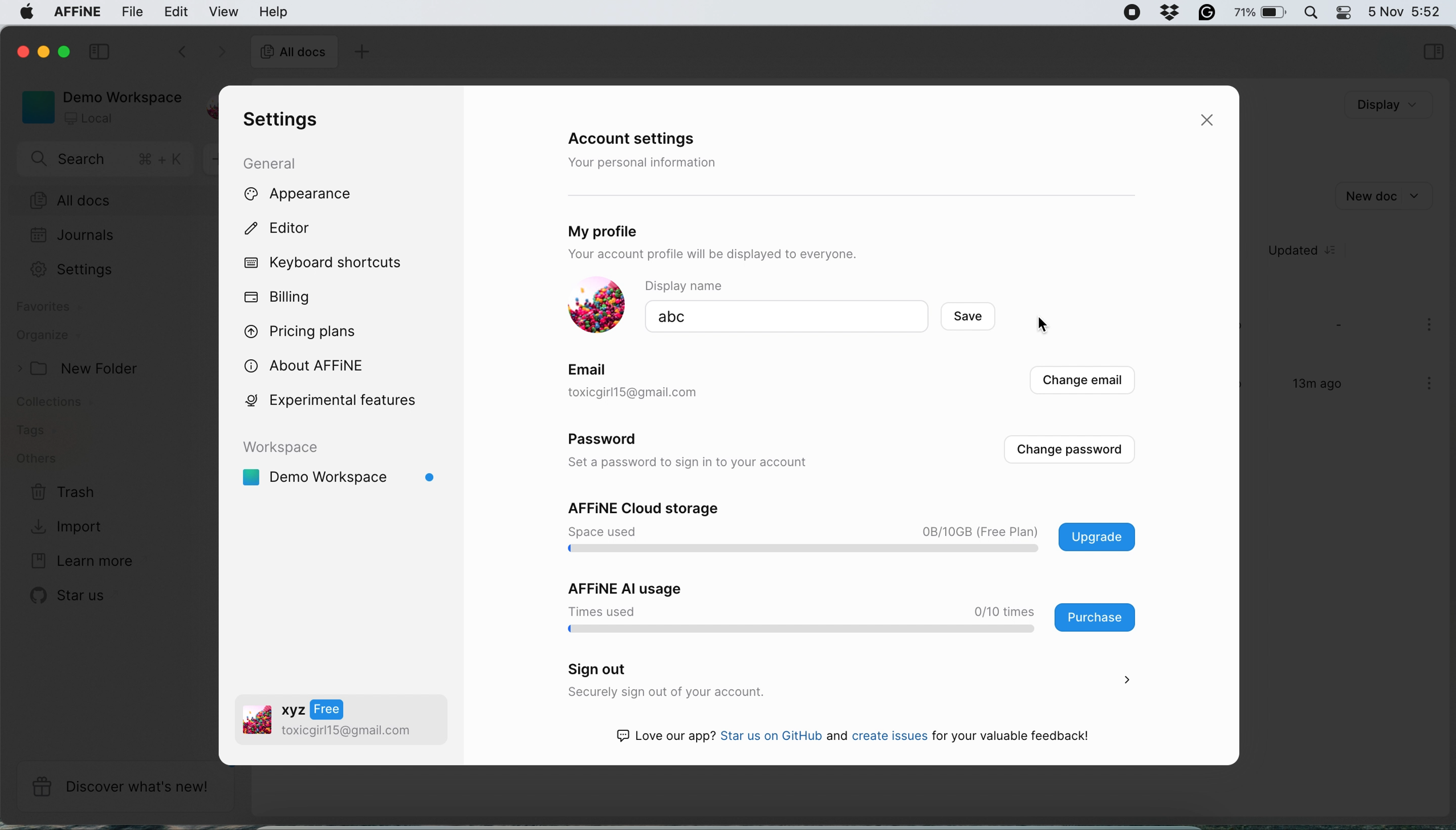 The image size is (1456, 830). I want to click on pricing plans, so click(308, 329).